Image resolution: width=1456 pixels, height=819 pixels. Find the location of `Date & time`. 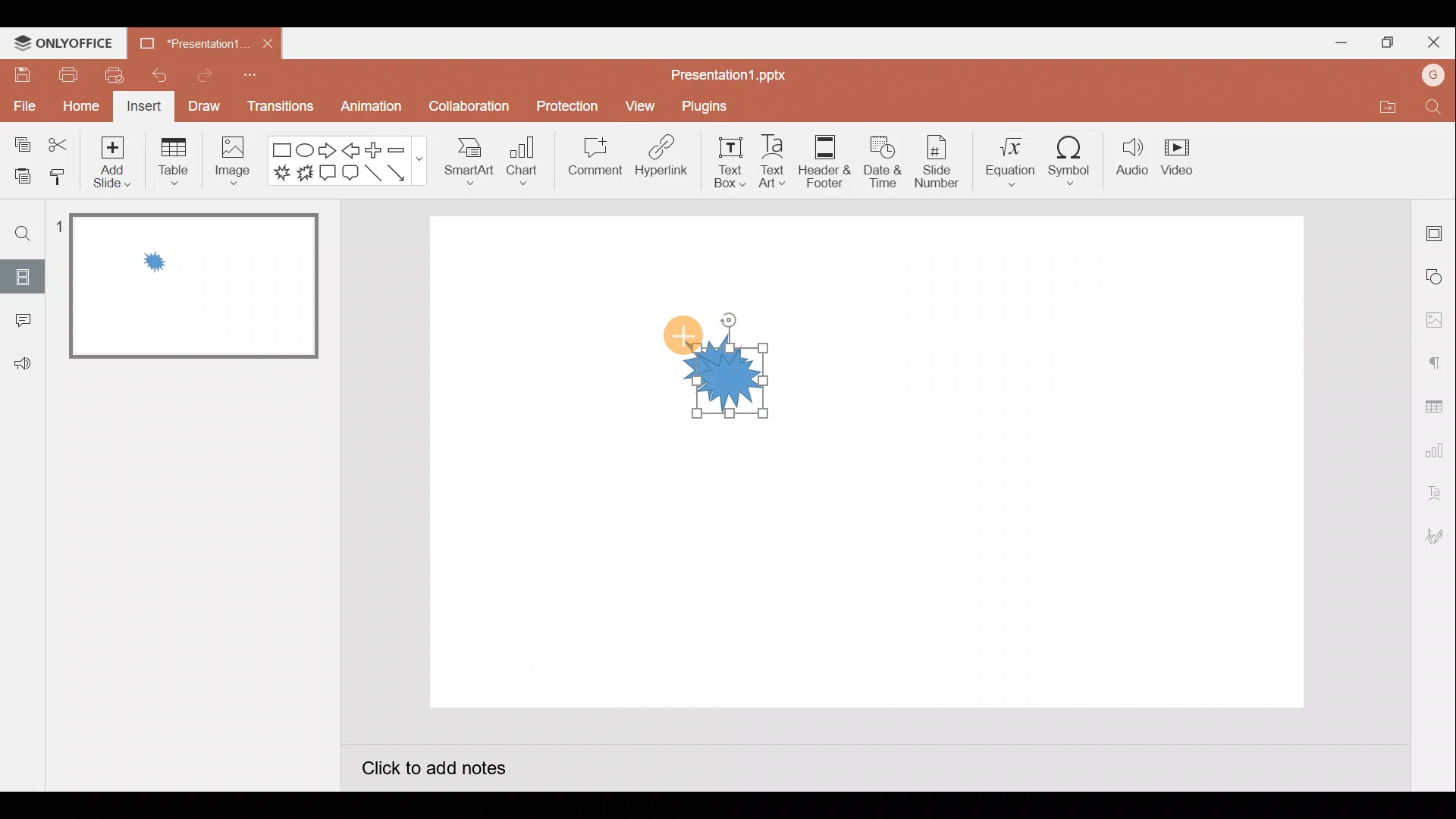

Date & time is located at coordinates (882, 162).